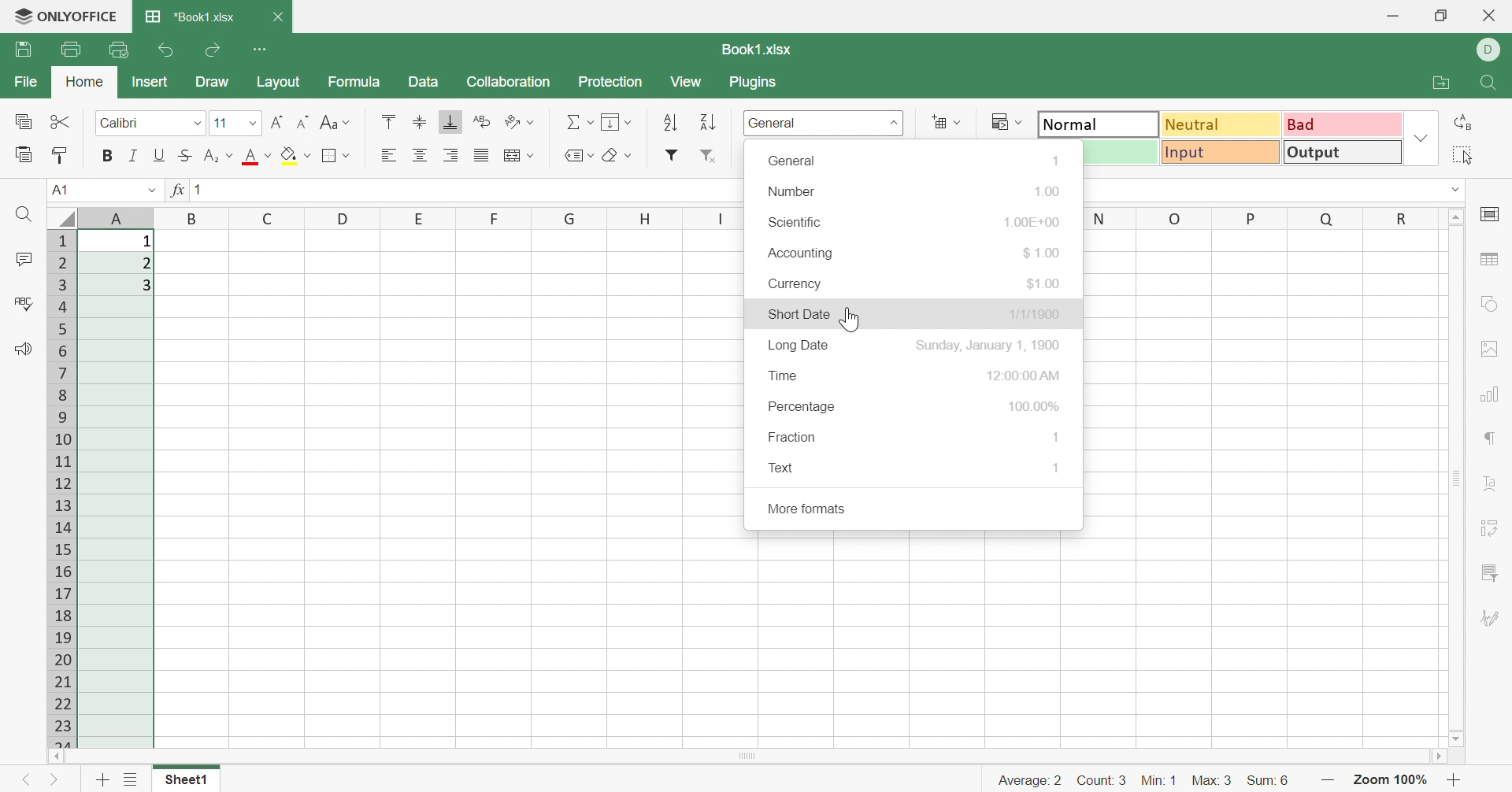 Image resolution: width=1512 pixels, height=792 pixels. What do you see at coordinates (72, 50) in the screenshot?
I see `Print file` at bounding box center [72, 50].